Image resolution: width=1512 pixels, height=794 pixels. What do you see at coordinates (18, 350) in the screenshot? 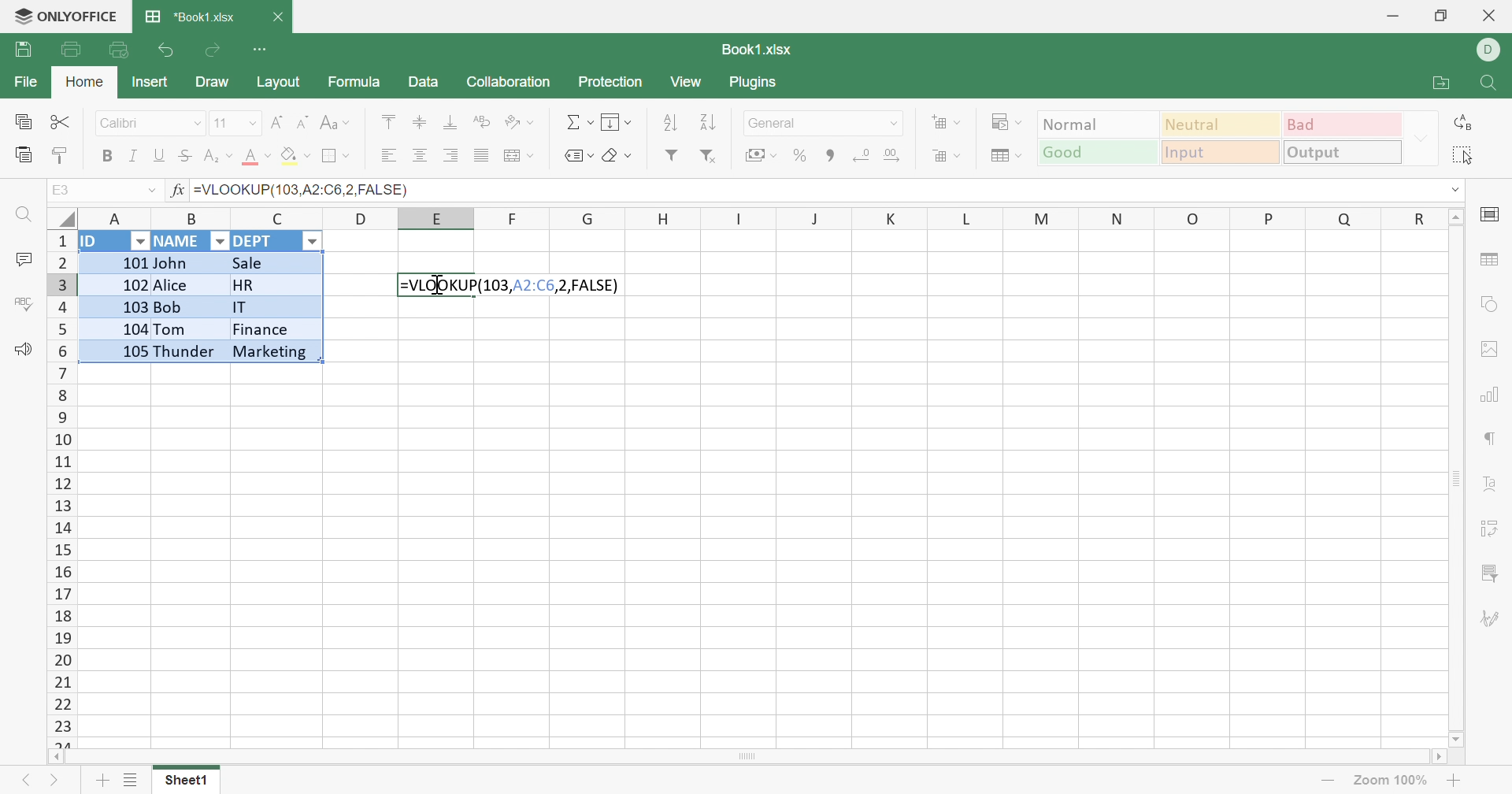
I see `Feedback & Support` at bounding box center [18, 350].